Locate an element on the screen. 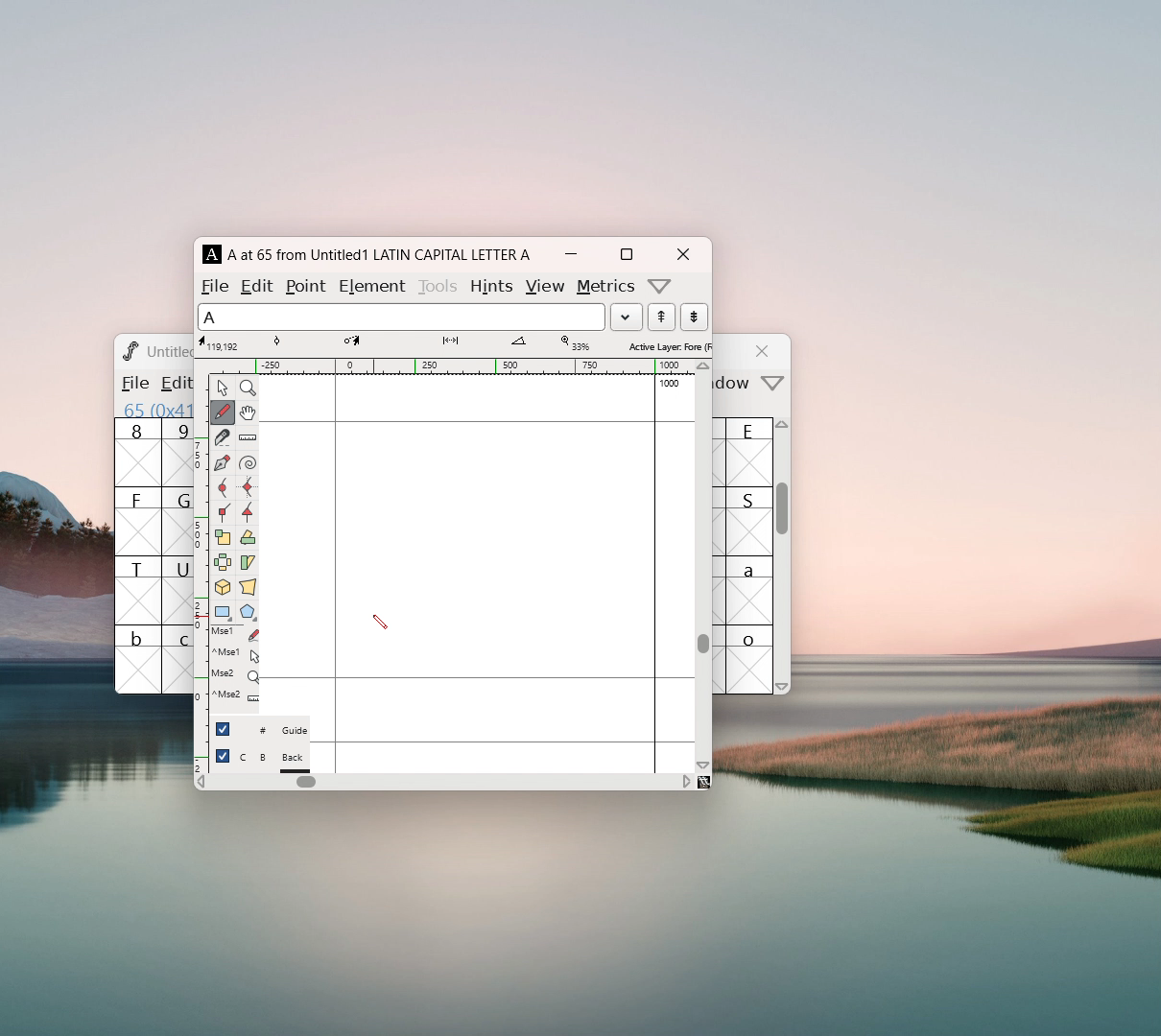 The height and width of the screenshot is (1036, 1161). add a curve point always horizontal or vertical is located at coordinates (248, 487).